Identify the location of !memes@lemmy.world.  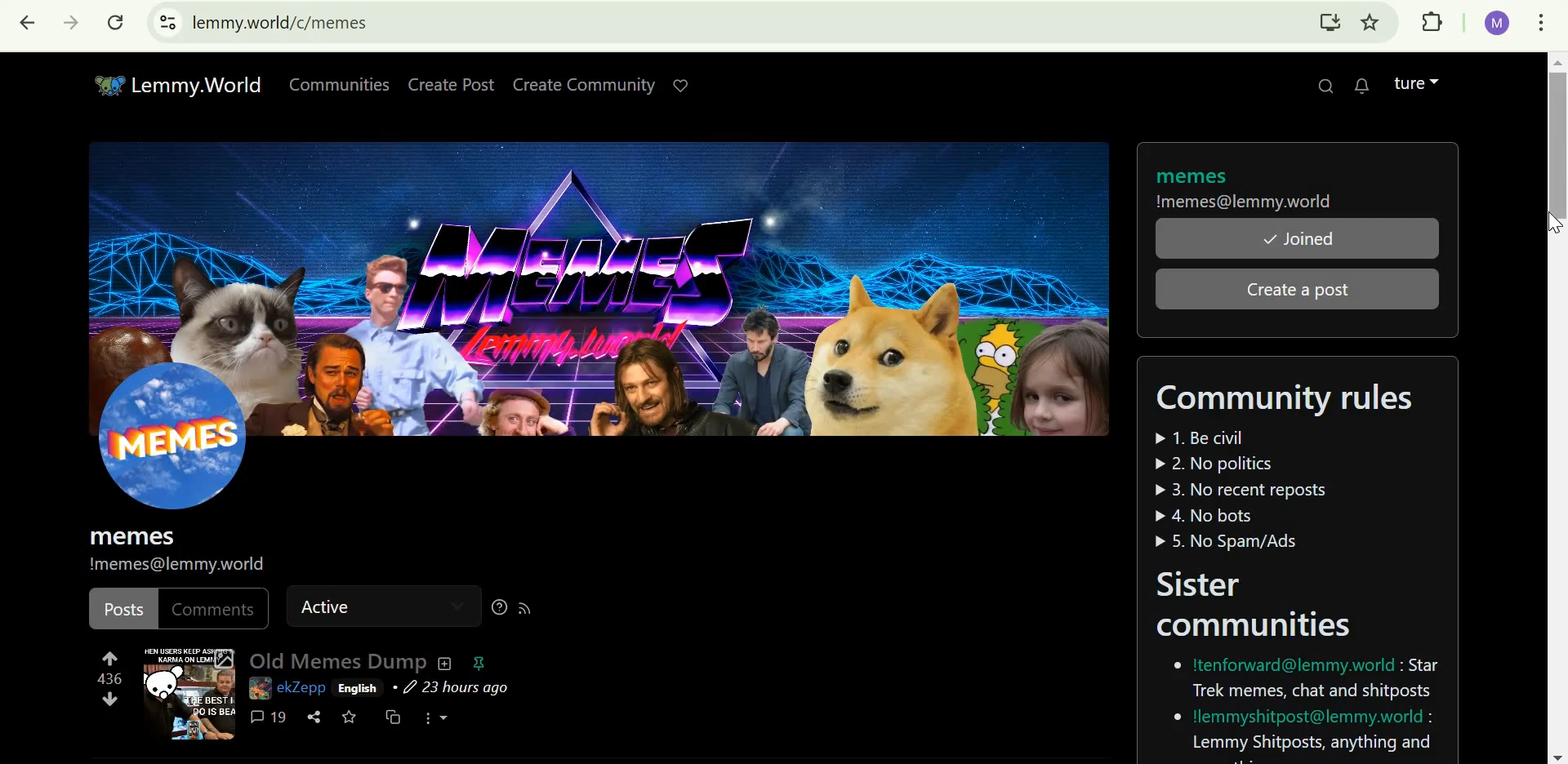
(1245, 203).